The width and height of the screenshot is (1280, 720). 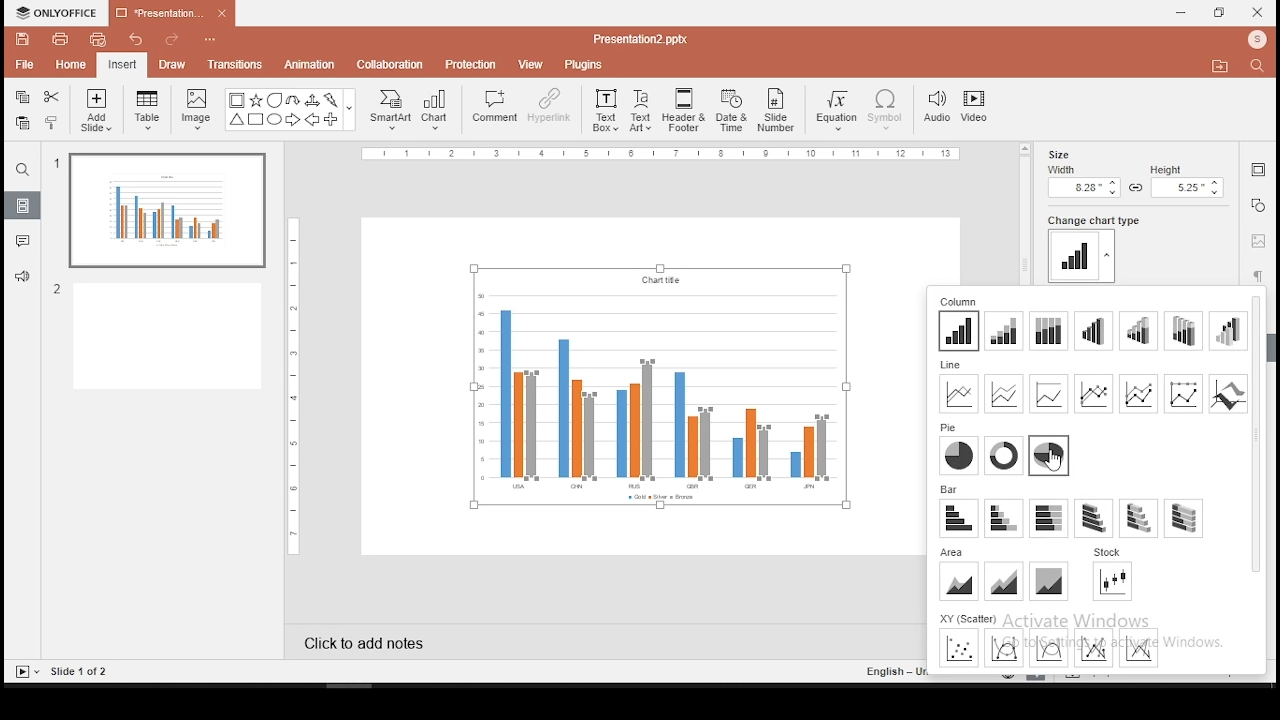 I want to click on close window, so click(x=1258, y=13).